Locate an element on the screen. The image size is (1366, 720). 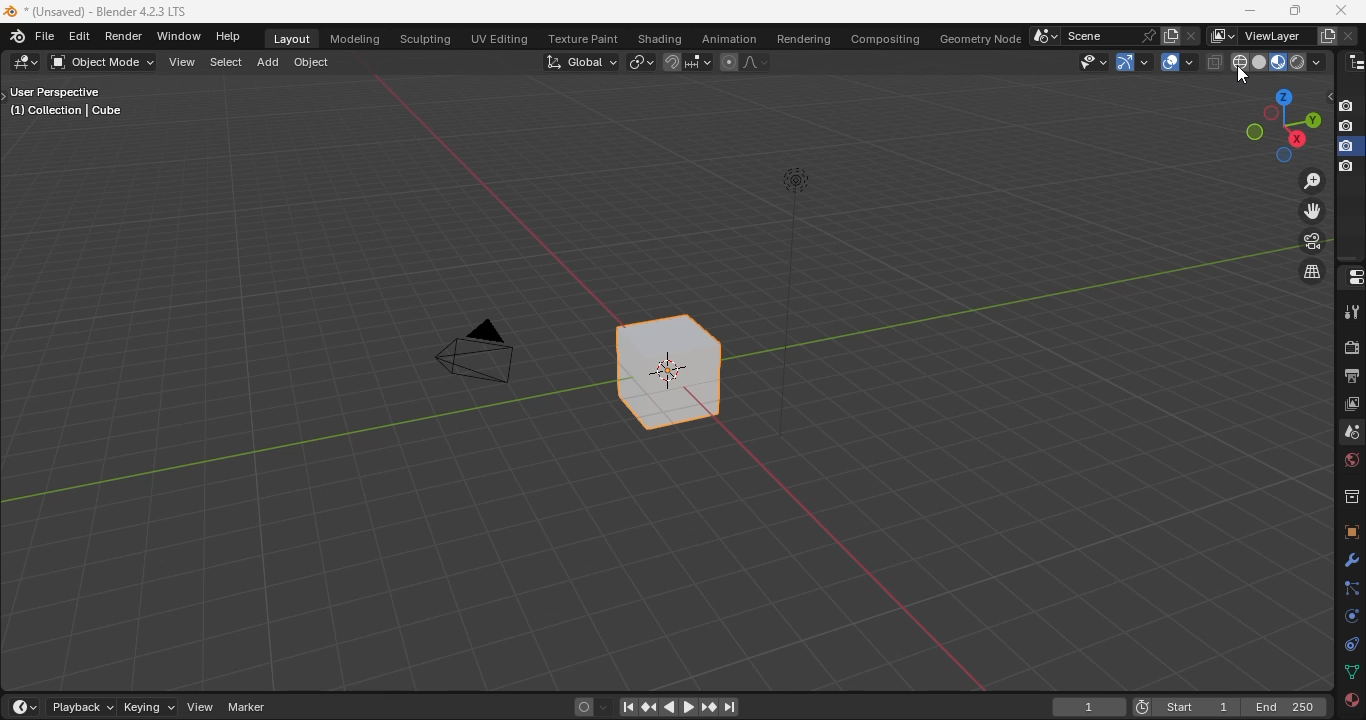
current frame is located at coordinates (1089, 709).